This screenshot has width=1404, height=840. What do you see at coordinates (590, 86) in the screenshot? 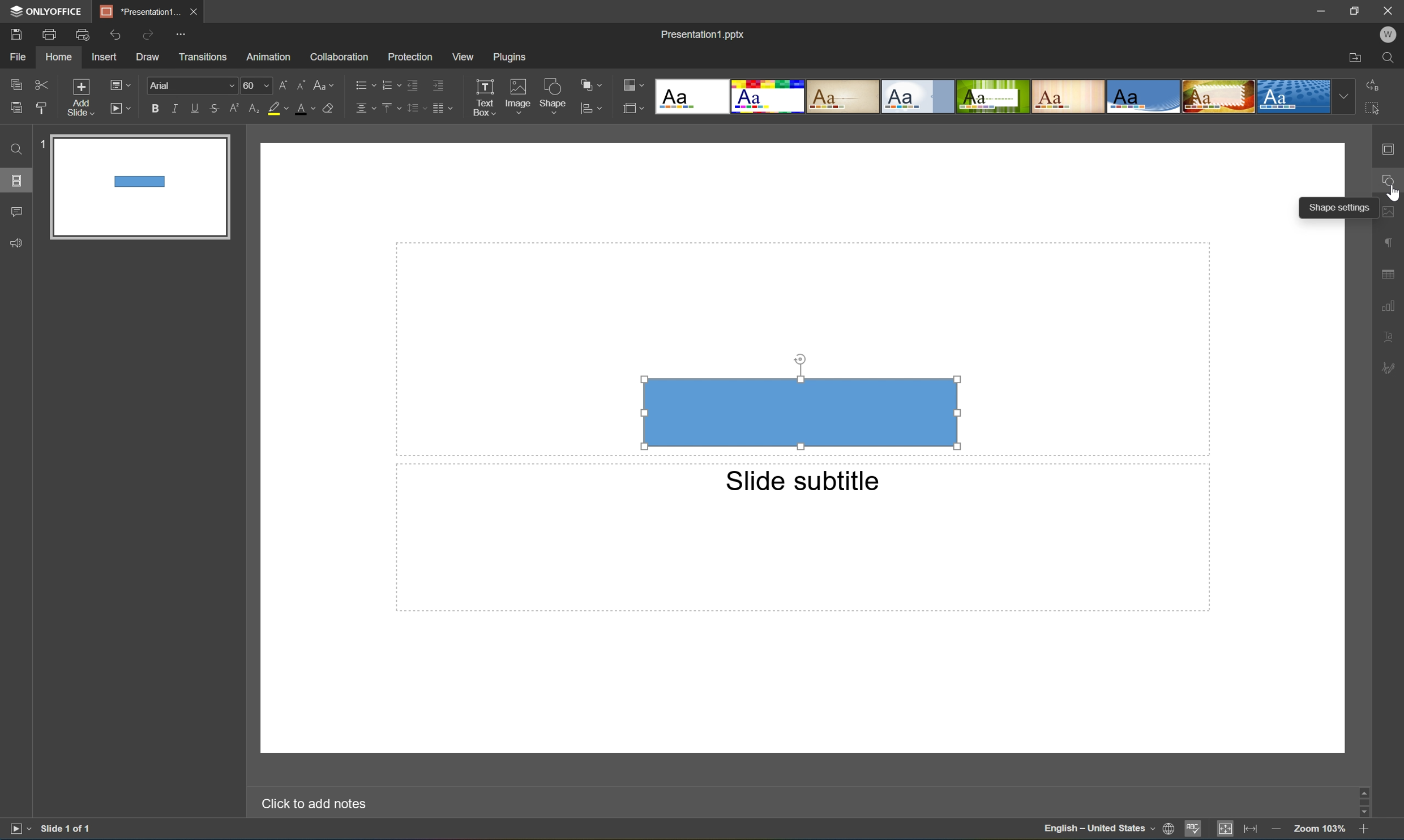
I see `Arrange shape` at bounding box center [590, 86].